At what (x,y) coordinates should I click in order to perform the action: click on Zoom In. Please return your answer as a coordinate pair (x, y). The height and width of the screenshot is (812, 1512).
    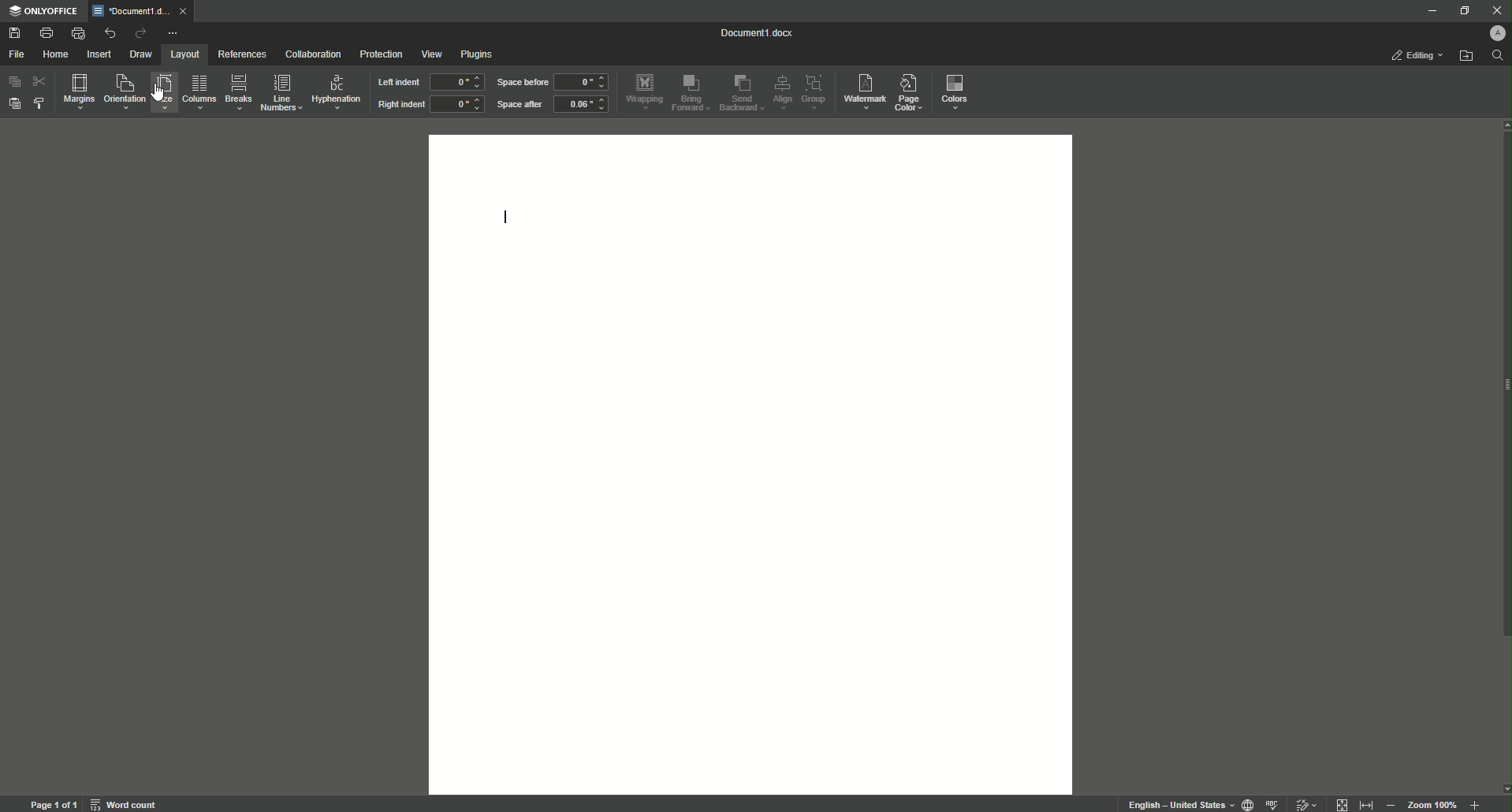
    Looking at the image, I should click on (1473, 803).